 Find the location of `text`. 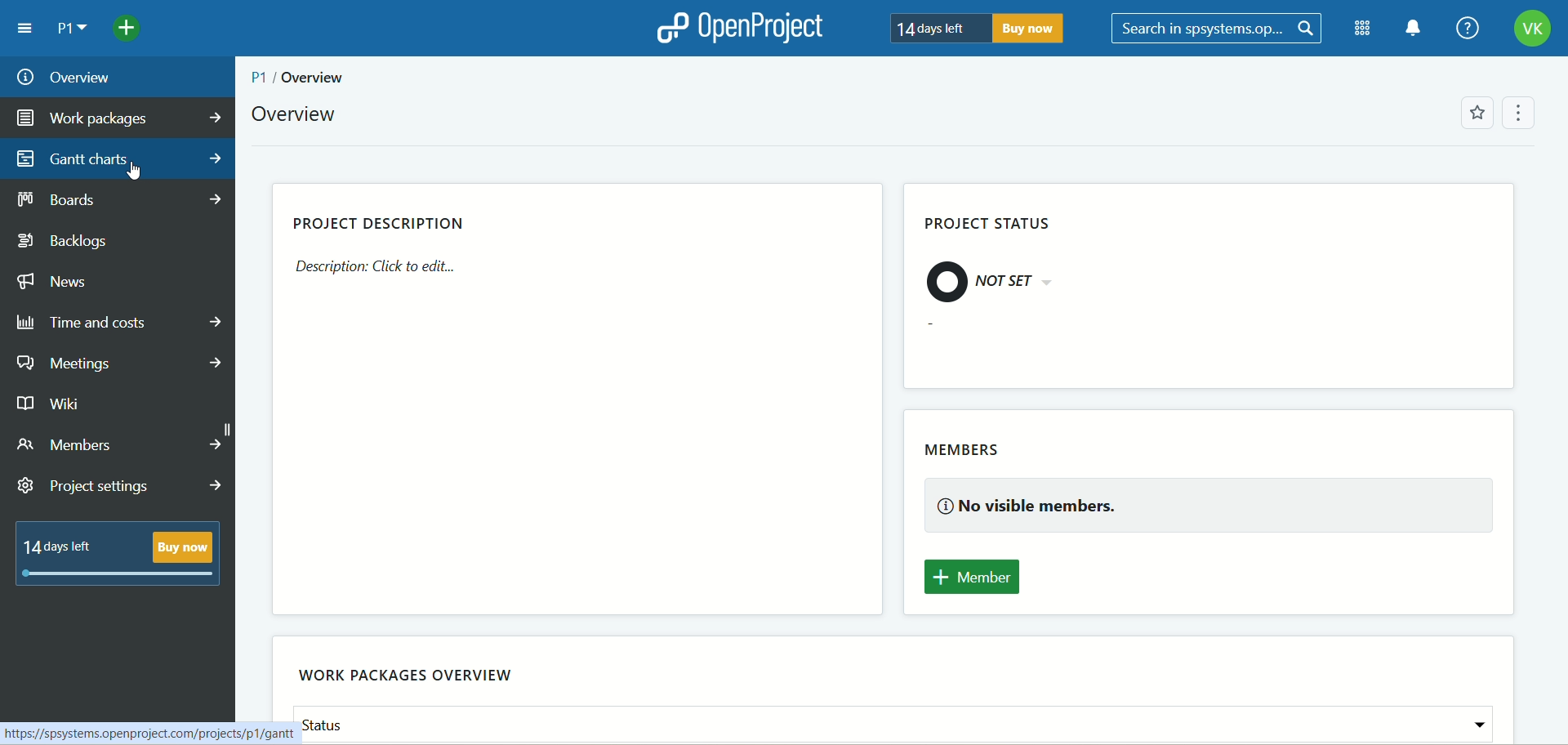

text is located at coordinates (991, 286).